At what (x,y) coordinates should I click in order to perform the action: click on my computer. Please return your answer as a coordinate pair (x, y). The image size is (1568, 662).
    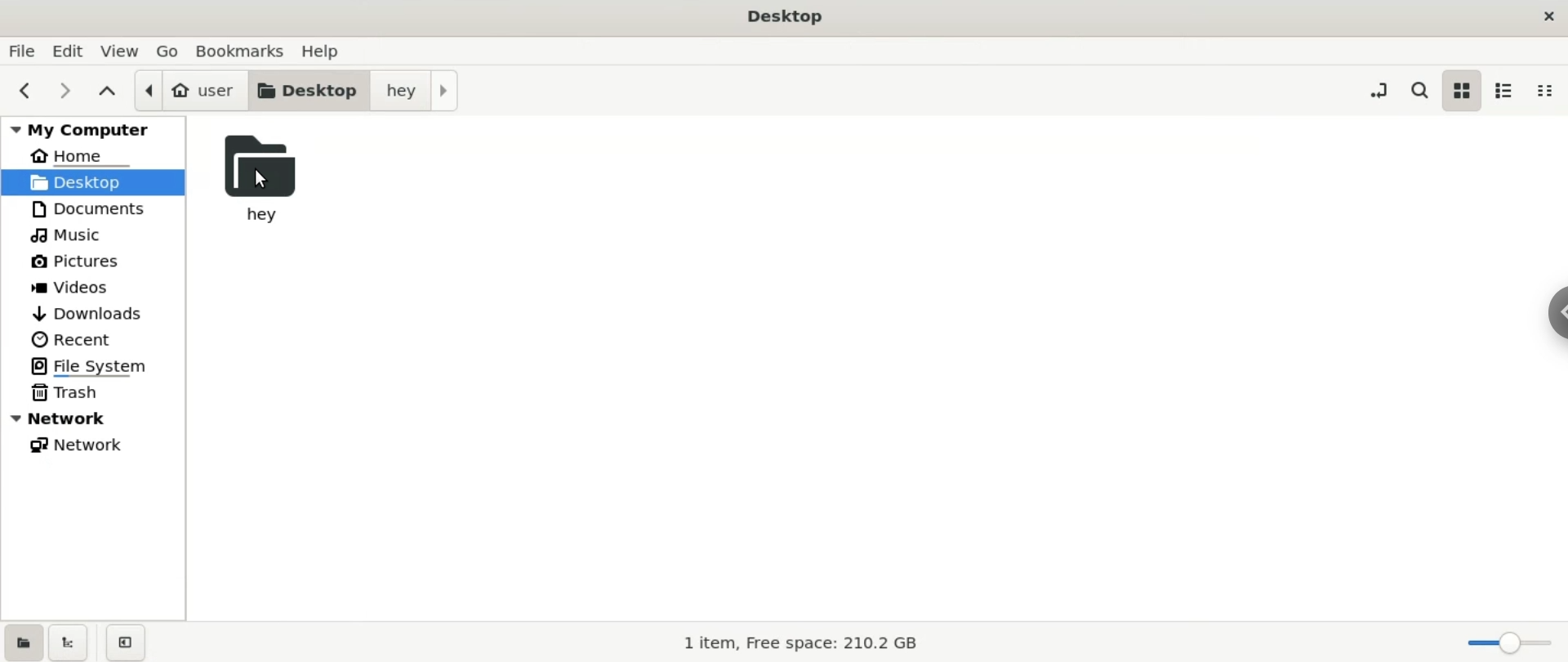
    Looking at the image, I should click on (93, 128).